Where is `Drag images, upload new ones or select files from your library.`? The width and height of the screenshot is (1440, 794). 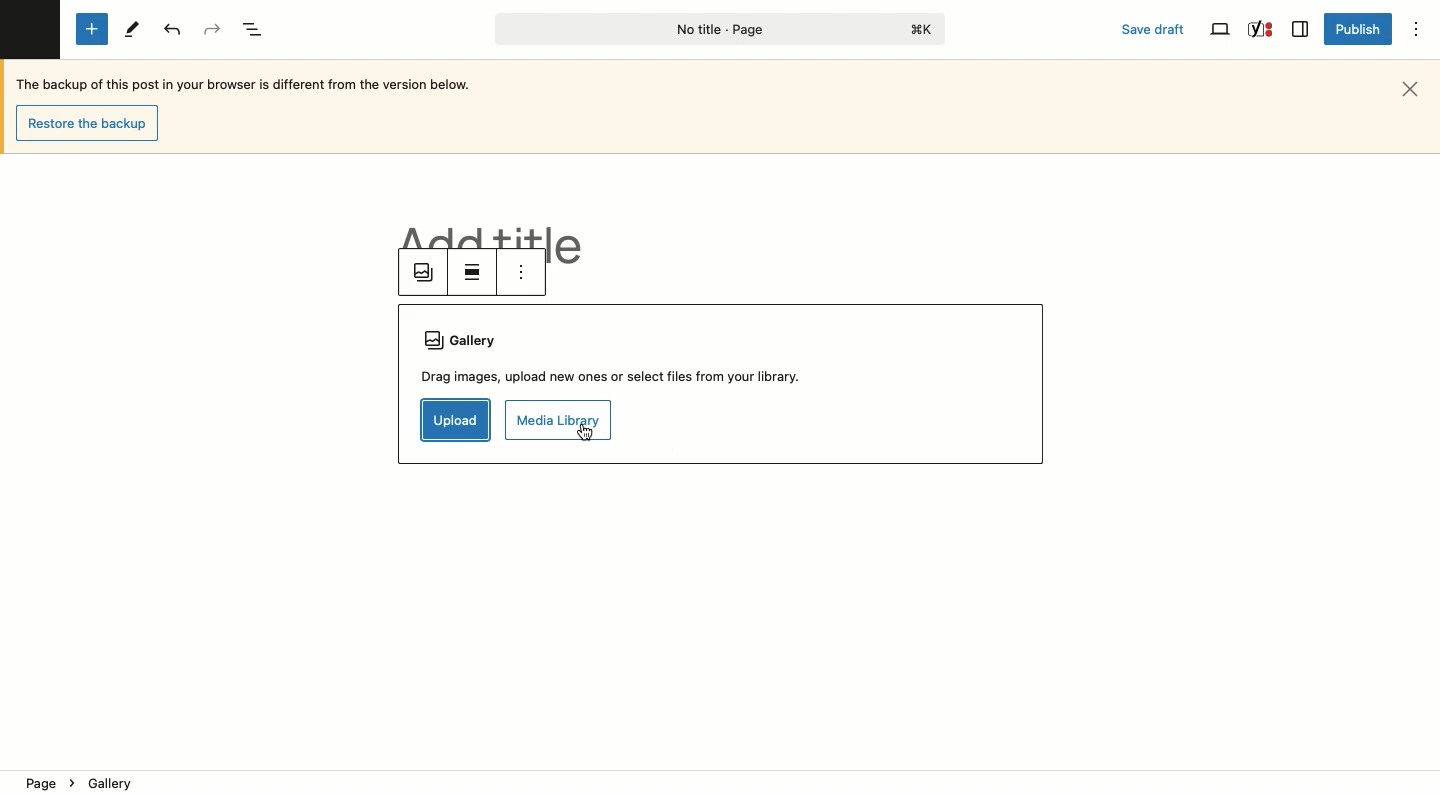
Drag images, upload new ones or select files from your library. is located at coordinates (615, 377).